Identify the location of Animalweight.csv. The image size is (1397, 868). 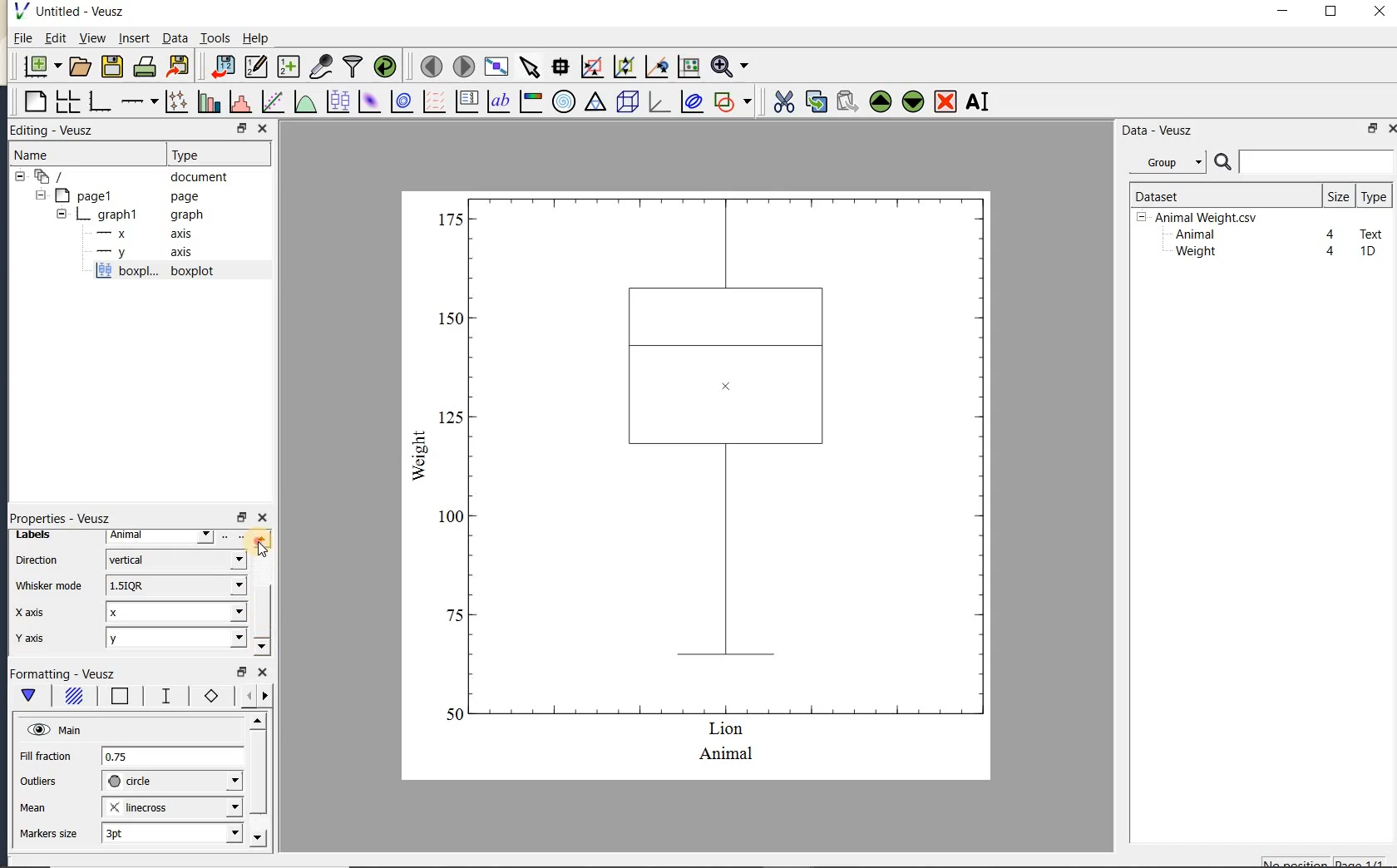
(1201, 218).